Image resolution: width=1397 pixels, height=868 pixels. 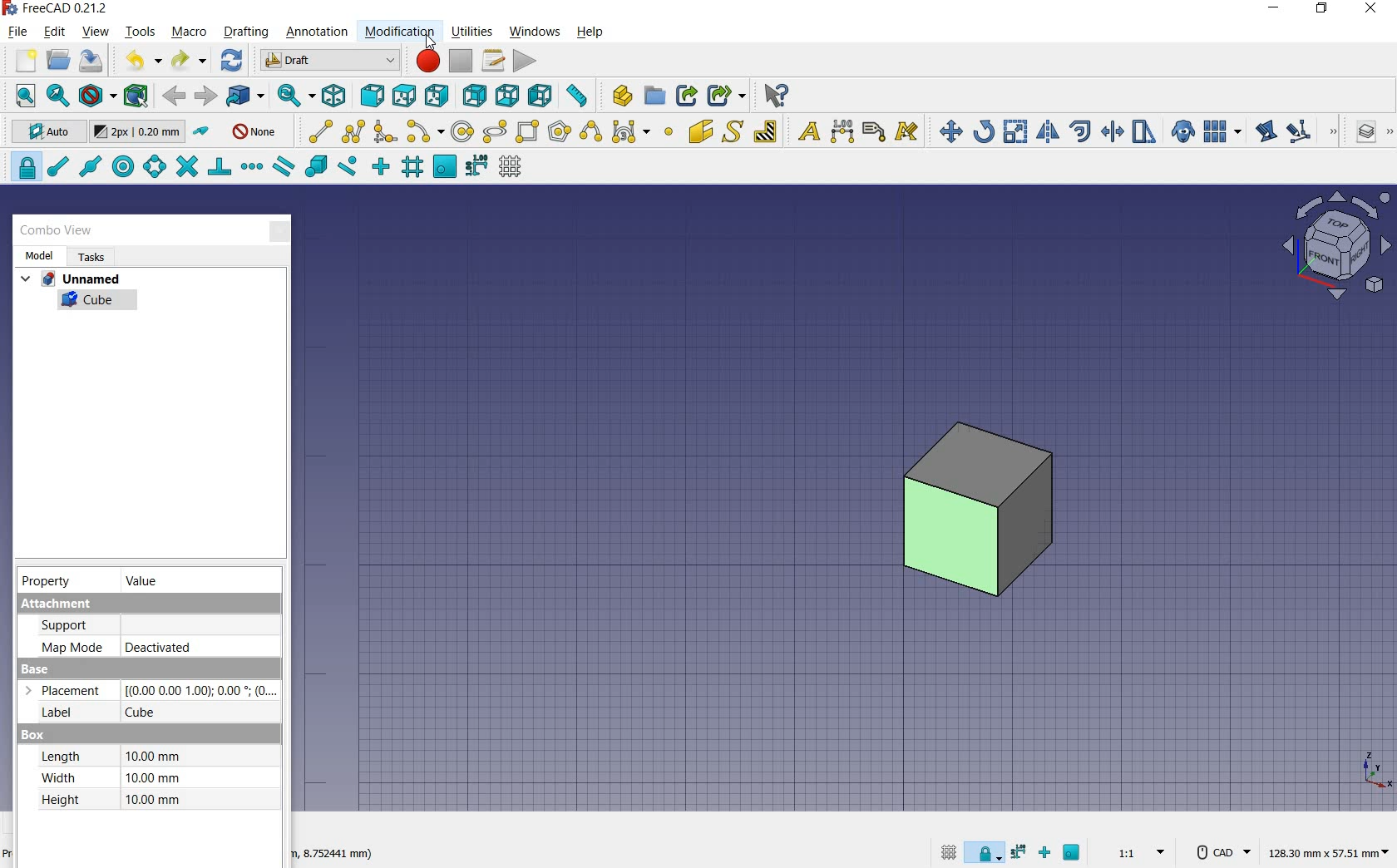 I want to click on fillet, so click(x=384, y=131).